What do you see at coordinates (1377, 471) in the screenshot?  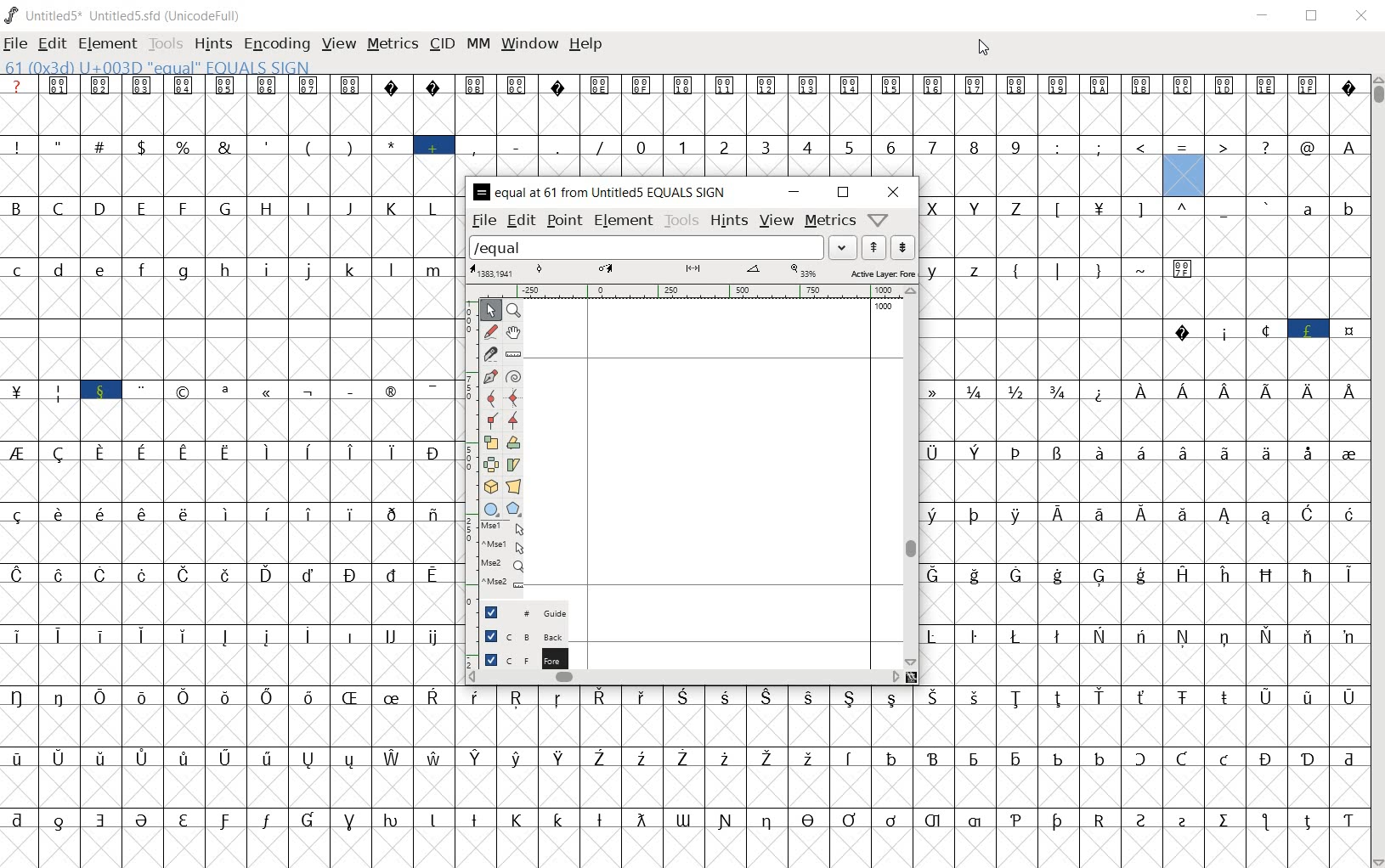 I see `scrollbar` at bounding box center [1377, 471].